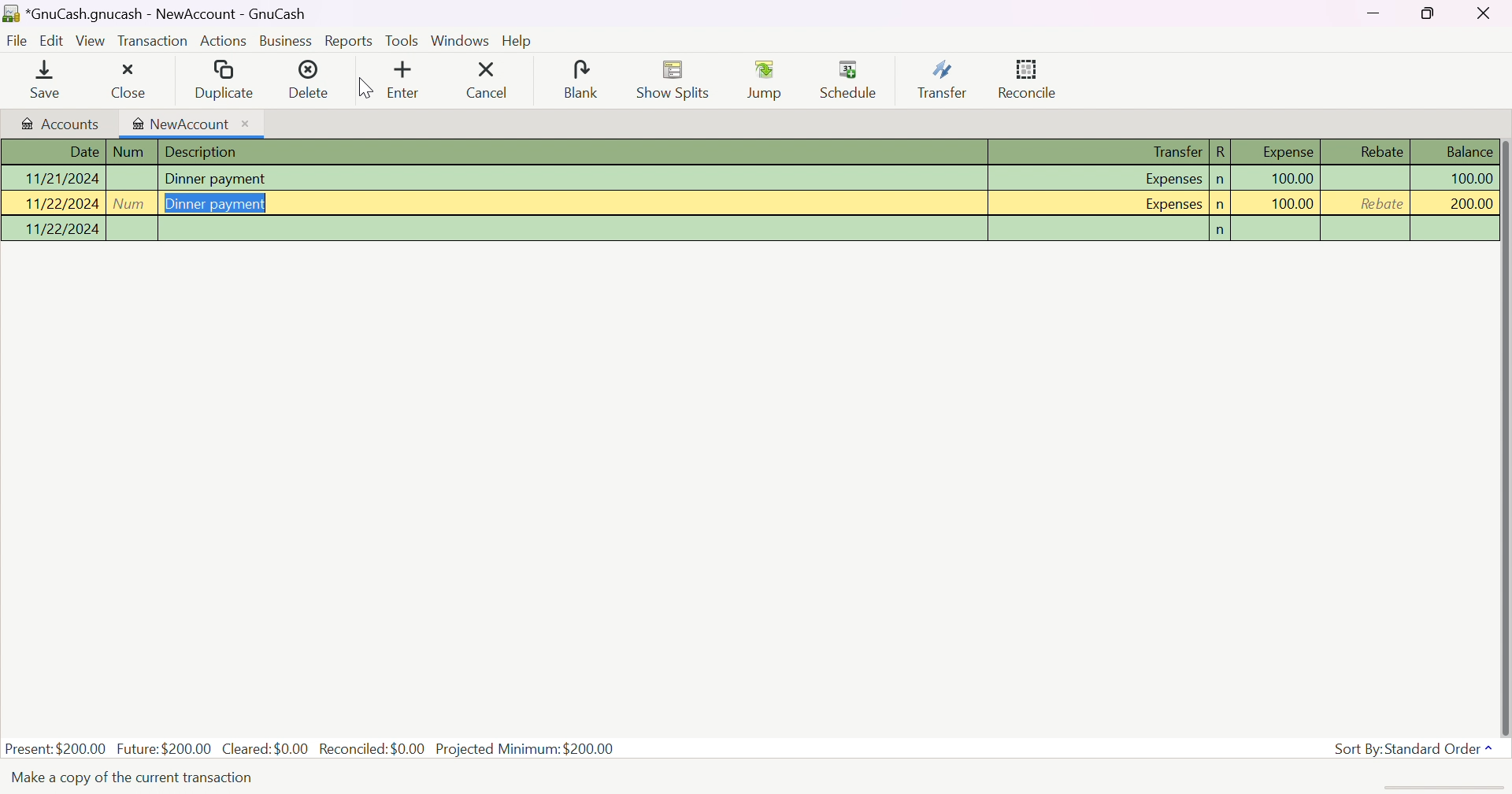  I want to click on R, so click(1221, 151).